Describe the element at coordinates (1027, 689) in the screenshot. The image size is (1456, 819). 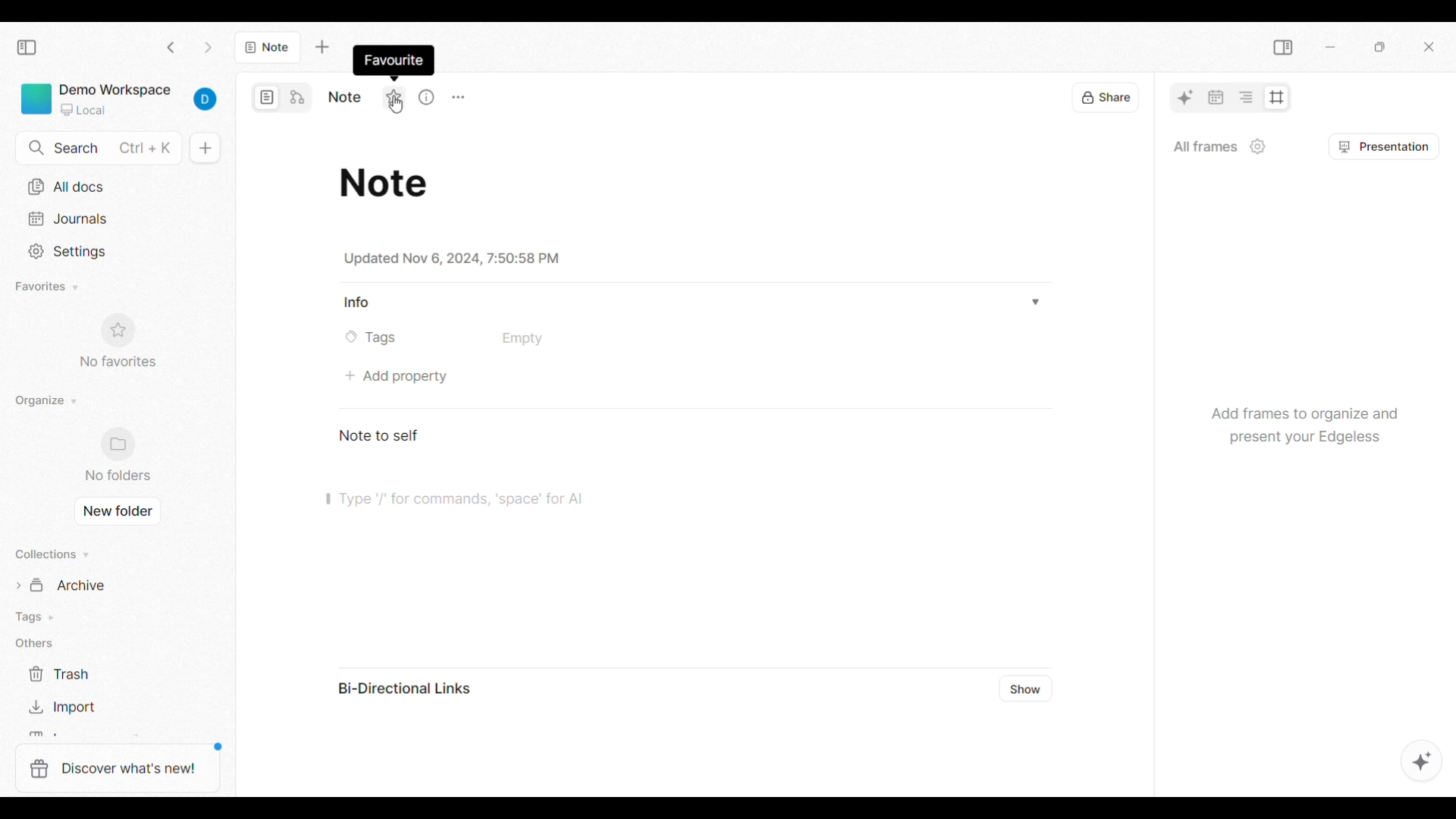
I see `Show/Hide links` at that location.